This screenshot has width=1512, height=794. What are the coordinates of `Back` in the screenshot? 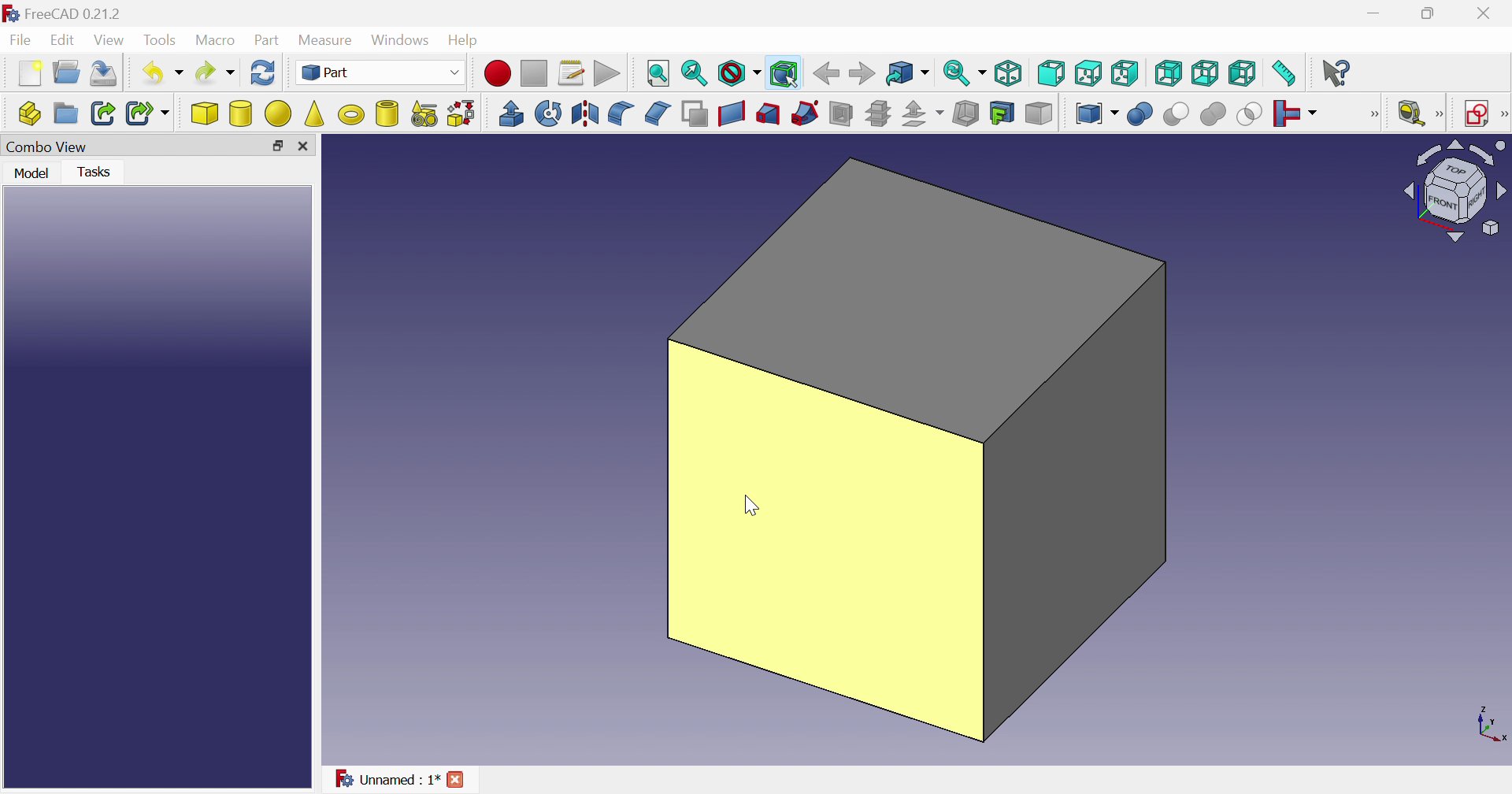 It's located at (826, 72).